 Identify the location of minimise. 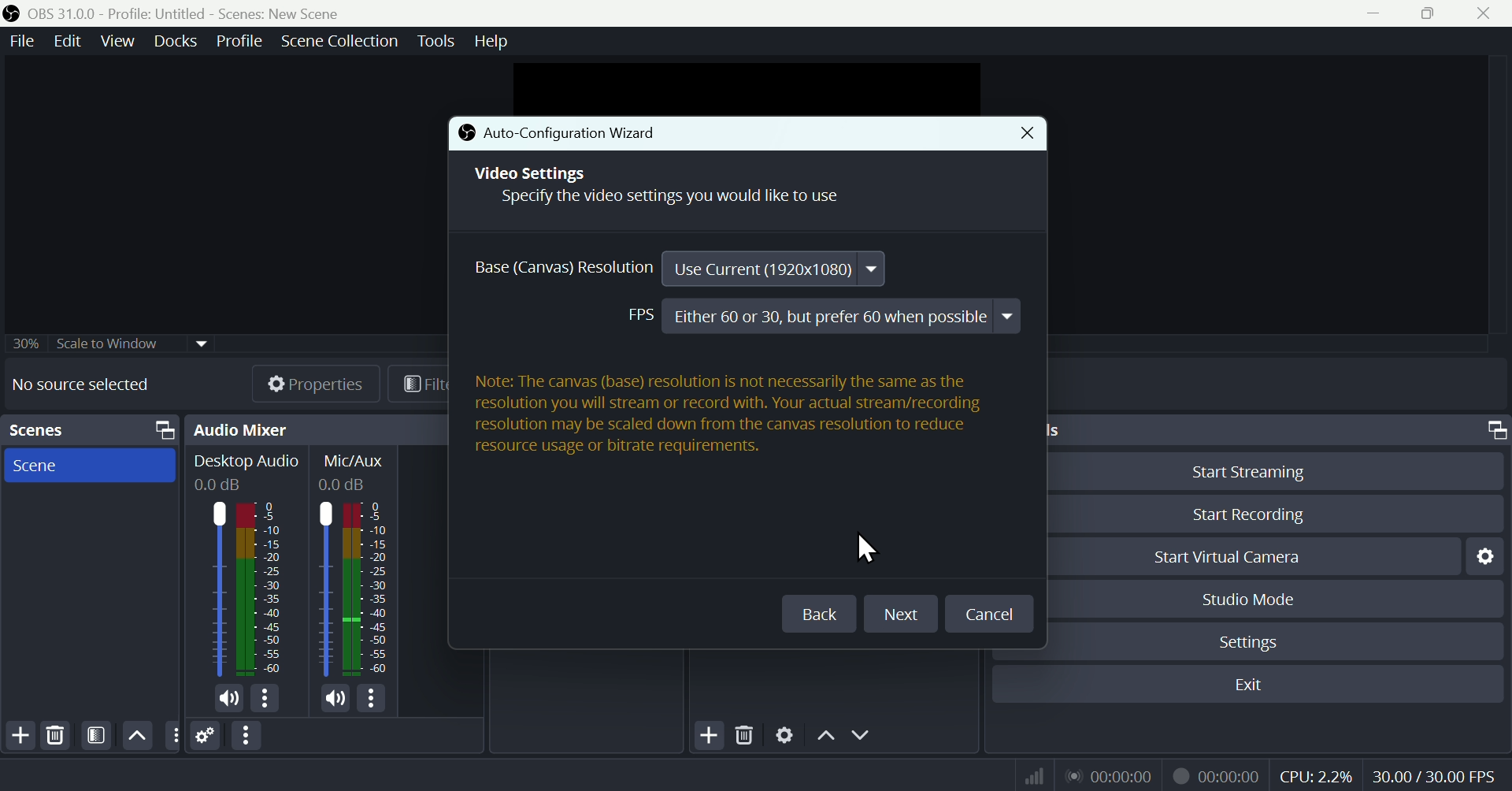
(1369, 13).